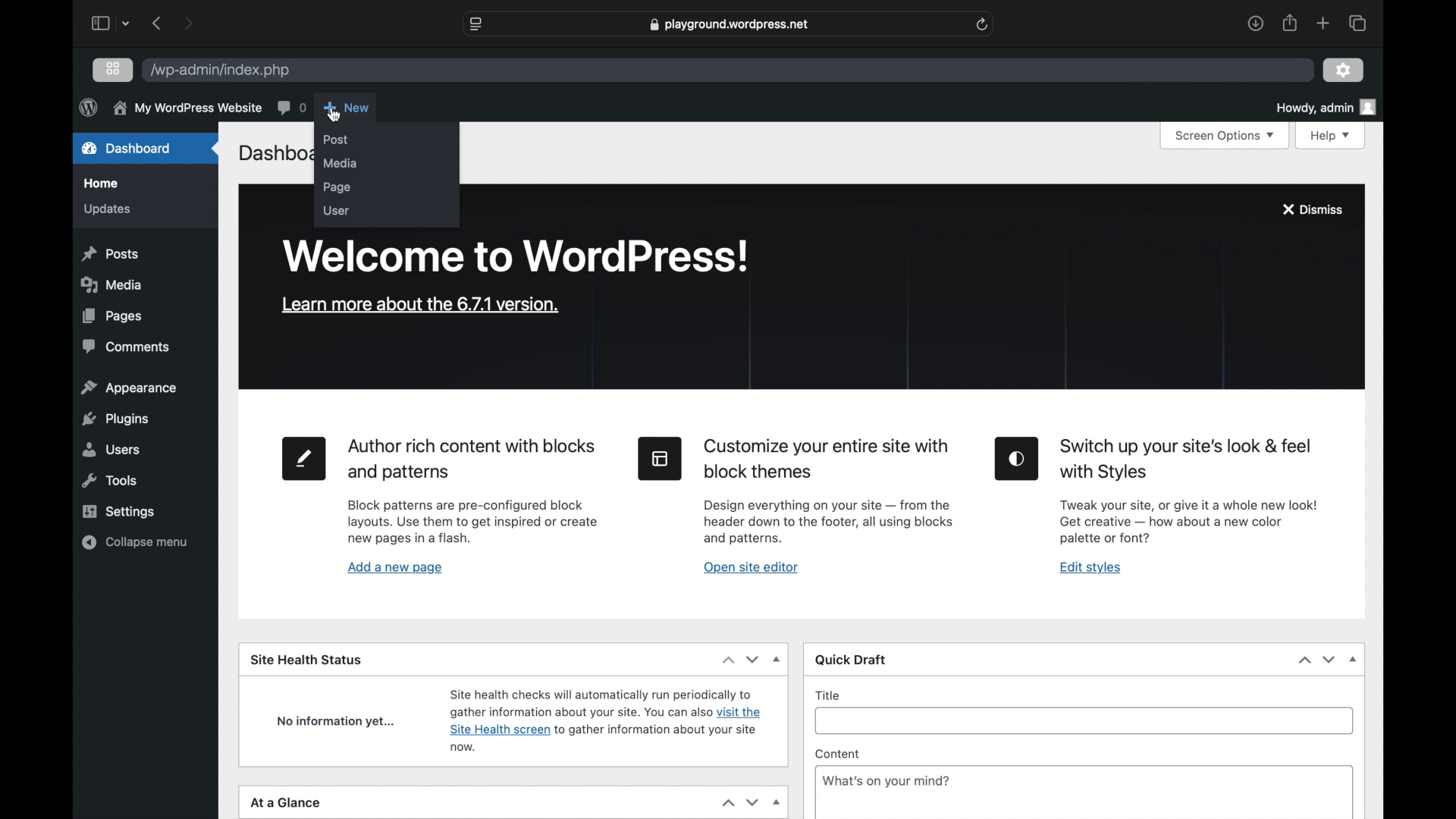  Describe the element at coordinates (127, 347) in the screenshot. I see `comments` at that location.